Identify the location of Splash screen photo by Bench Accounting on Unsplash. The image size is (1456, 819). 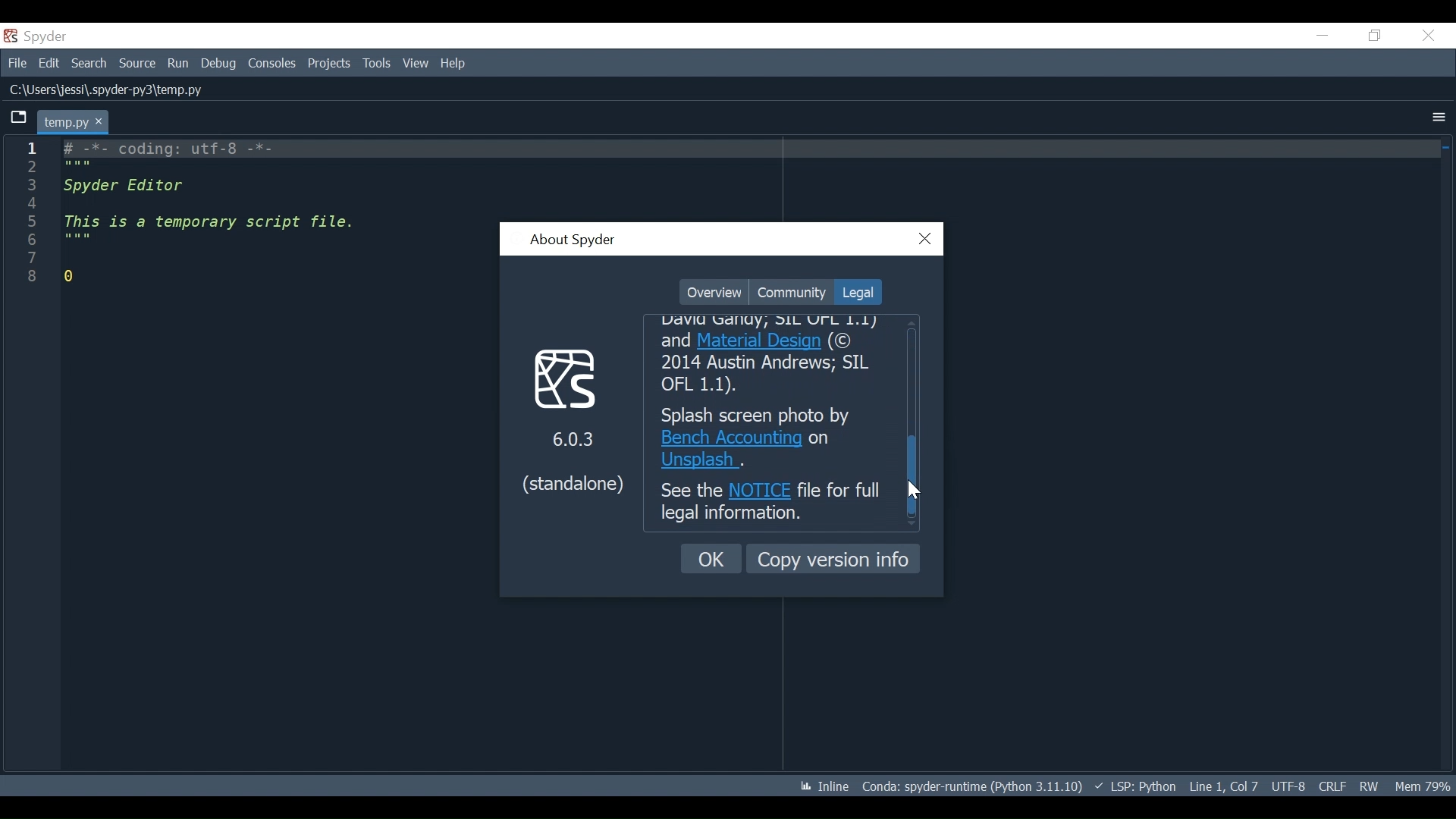
(772, 438).